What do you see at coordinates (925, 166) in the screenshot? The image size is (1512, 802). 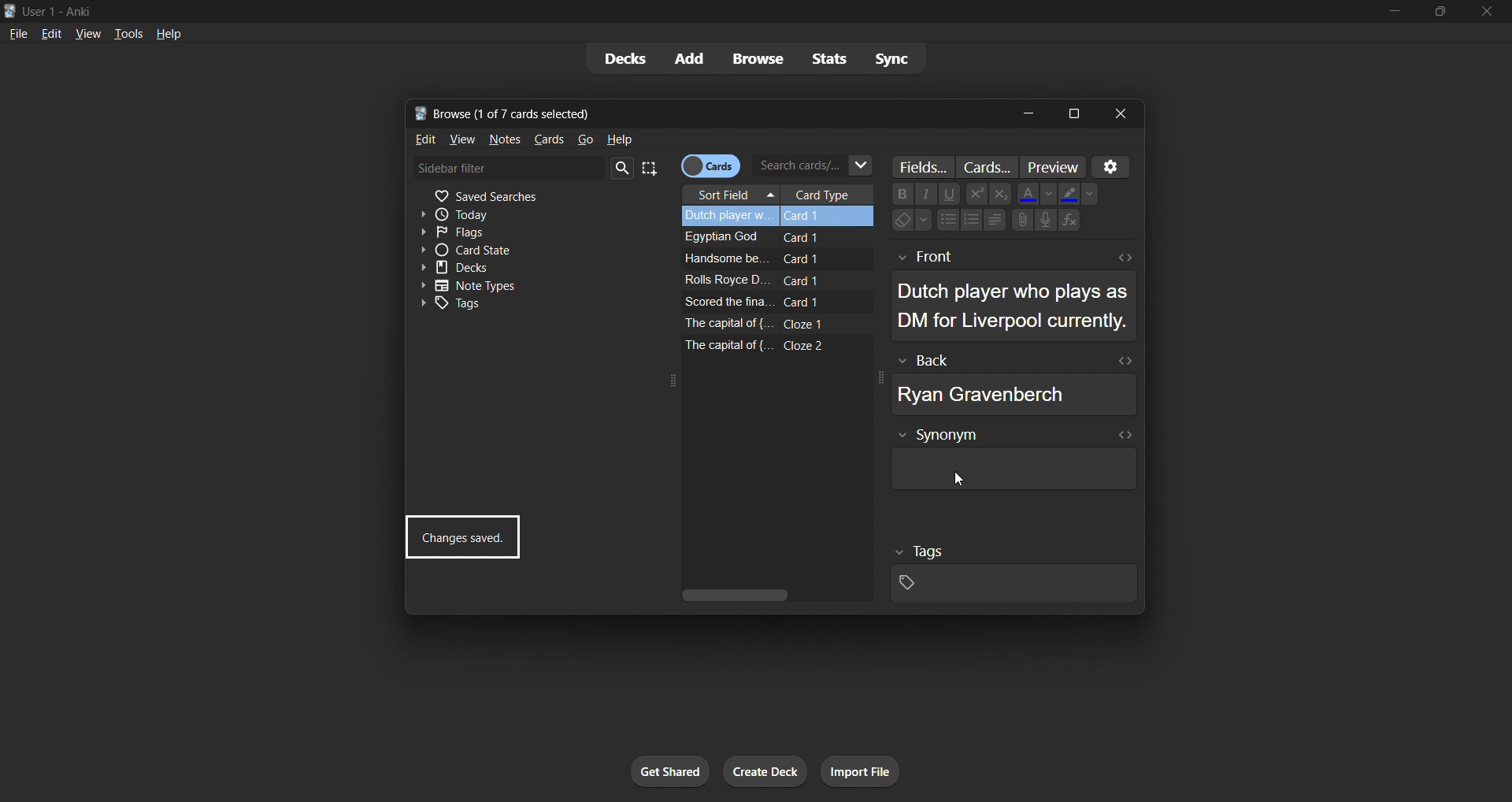 I see `customize fields` at bounding box center [925, 166].